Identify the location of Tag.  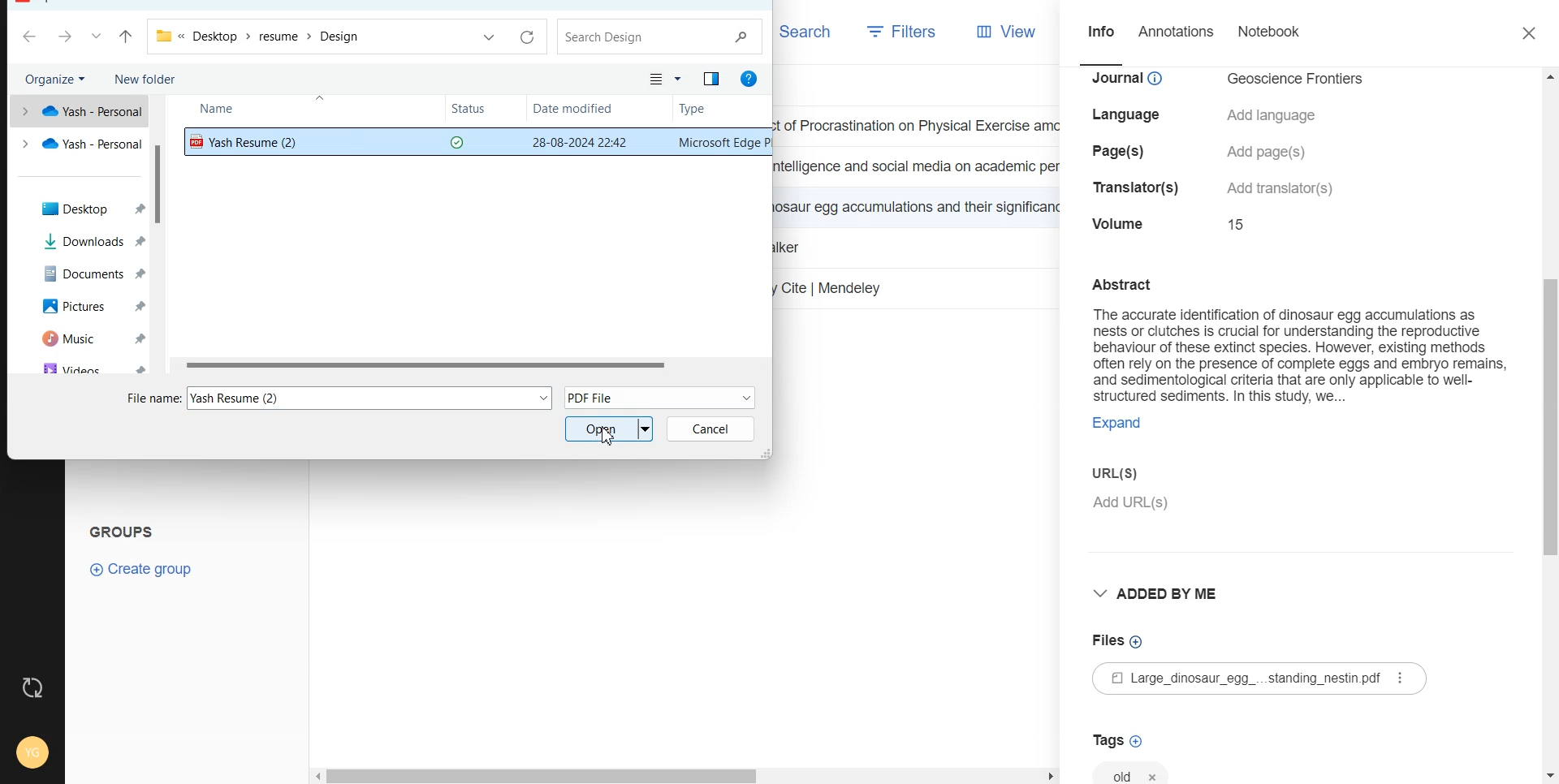
(1132, 770).